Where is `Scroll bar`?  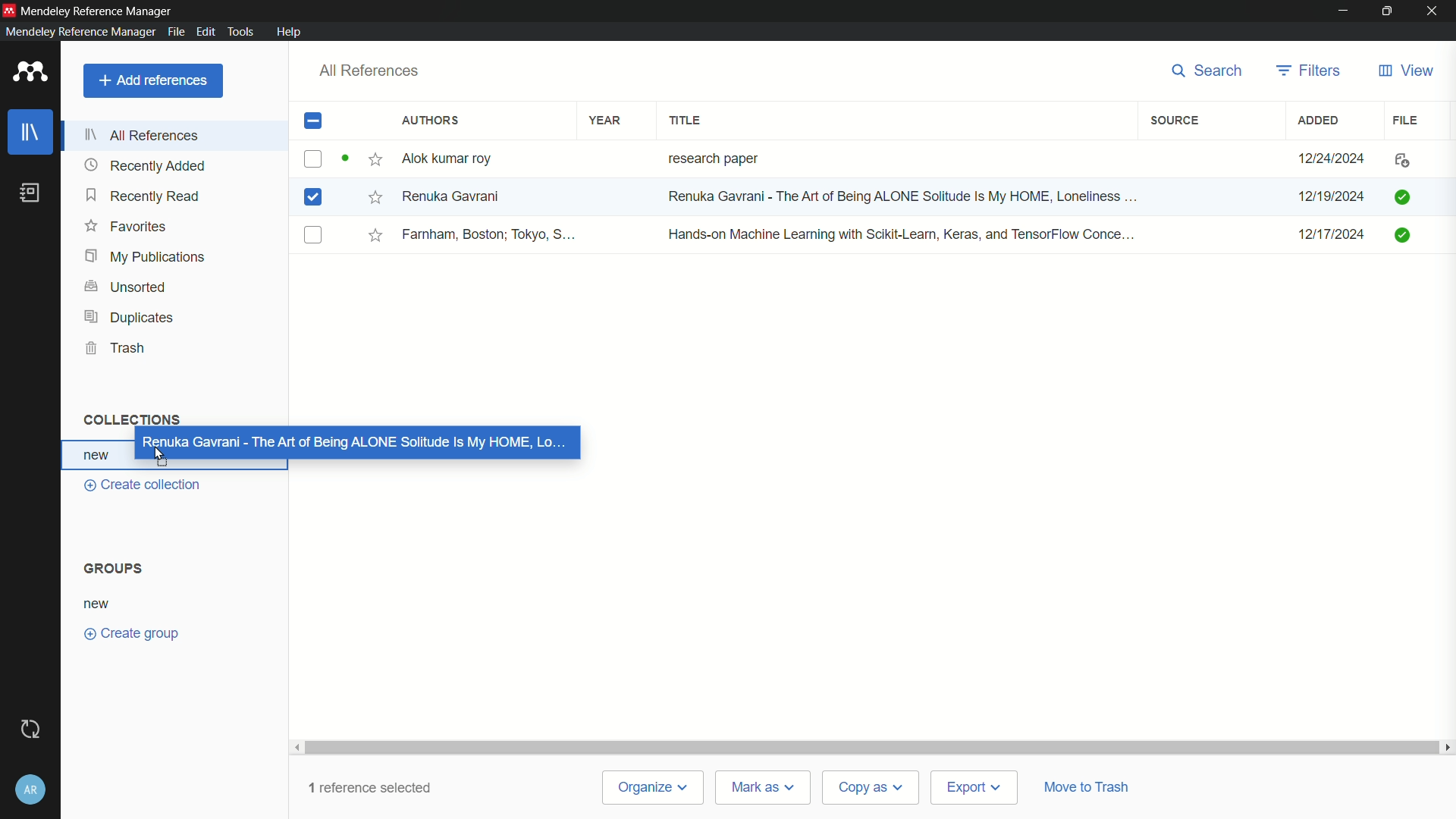
Scroll bar is located at coordinates (882, 748).